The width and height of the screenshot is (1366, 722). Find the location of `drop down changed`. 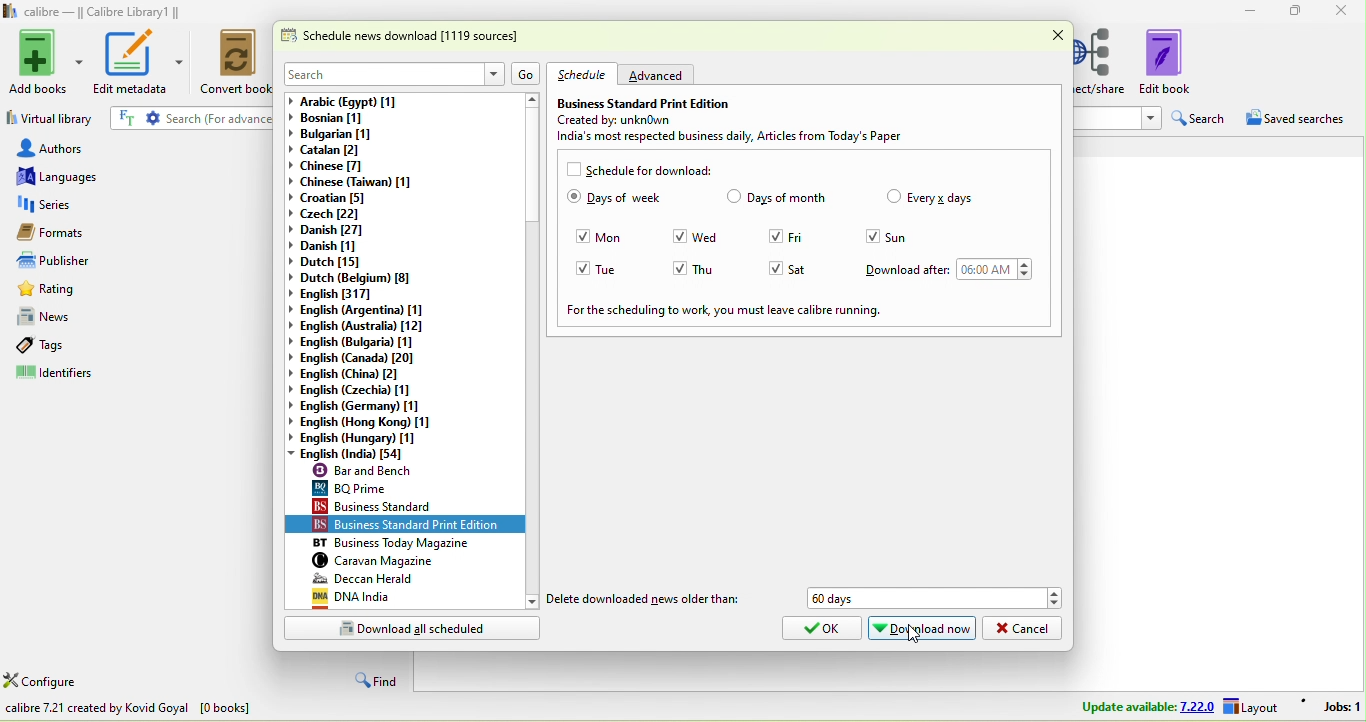

drop down changed is located at coordinates (290, 454).